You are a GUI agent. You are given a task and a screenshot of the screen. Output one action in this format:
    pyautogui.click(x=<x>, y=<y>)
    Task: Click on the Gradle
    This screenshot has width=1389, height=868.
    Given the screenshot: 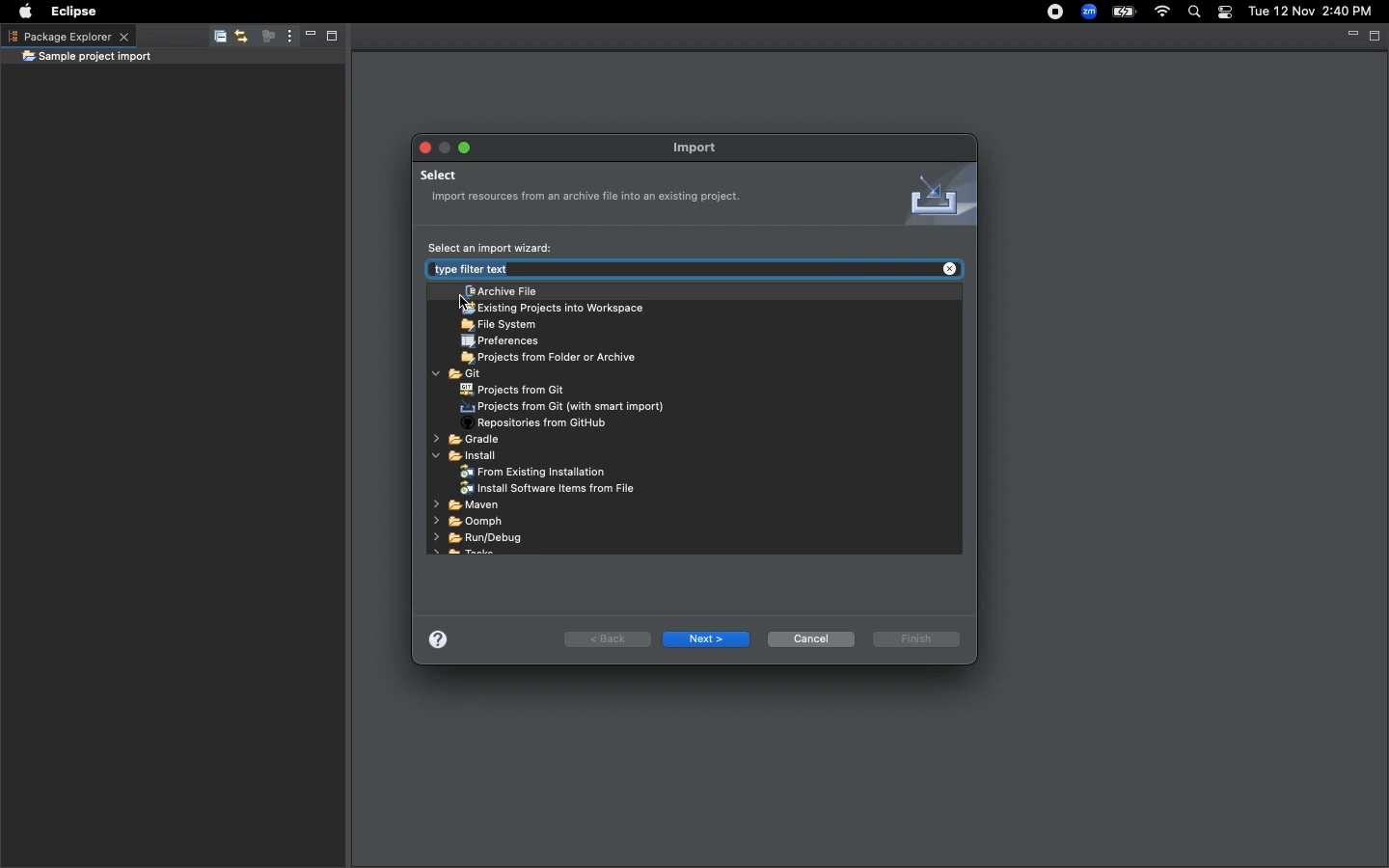 What is the action you would take?
    pyautogui.click(x=469, y=442)
    